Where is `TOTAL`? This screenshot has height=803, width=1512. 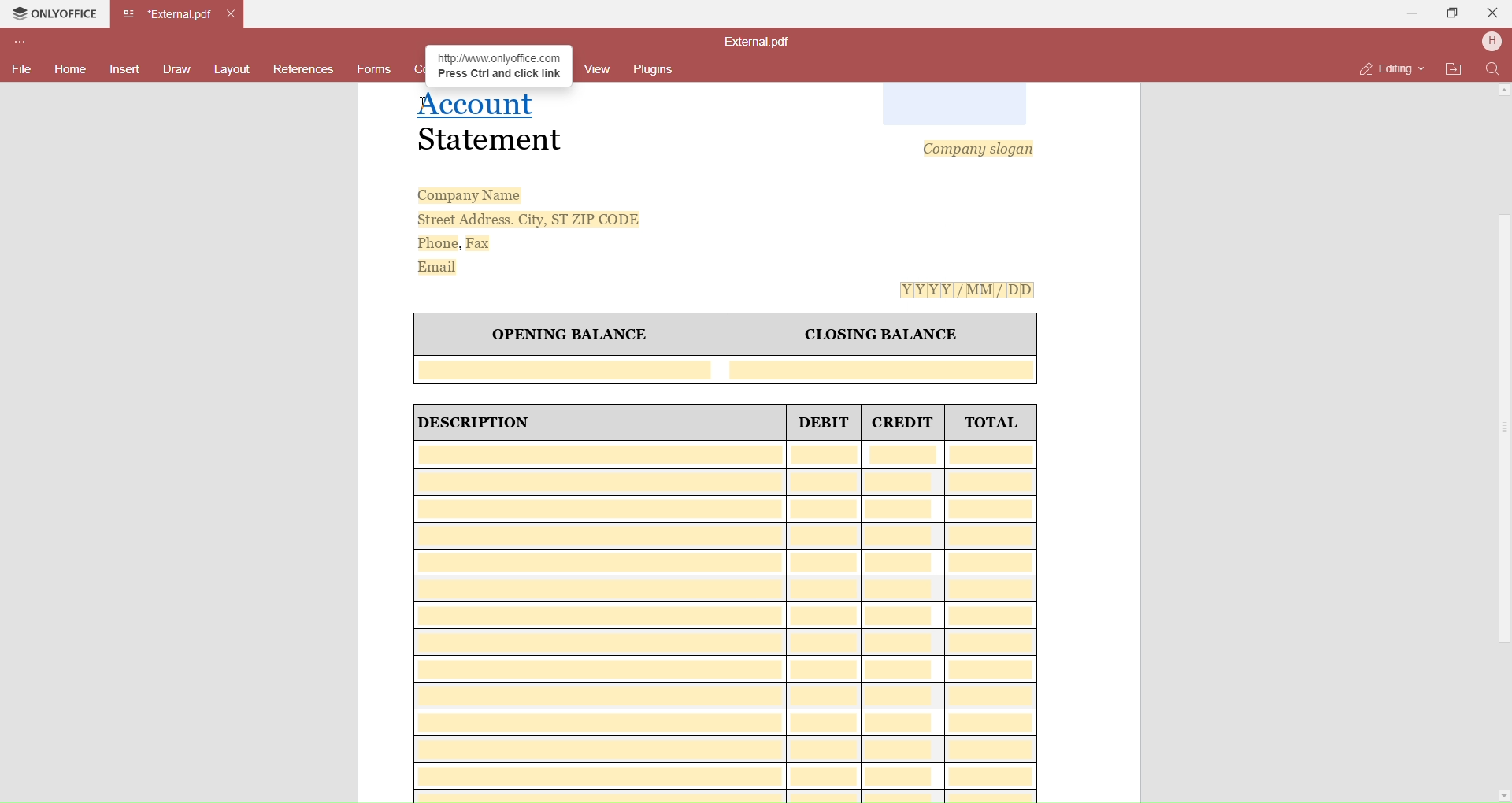
TOTAL is located at coordinates (991, 423).